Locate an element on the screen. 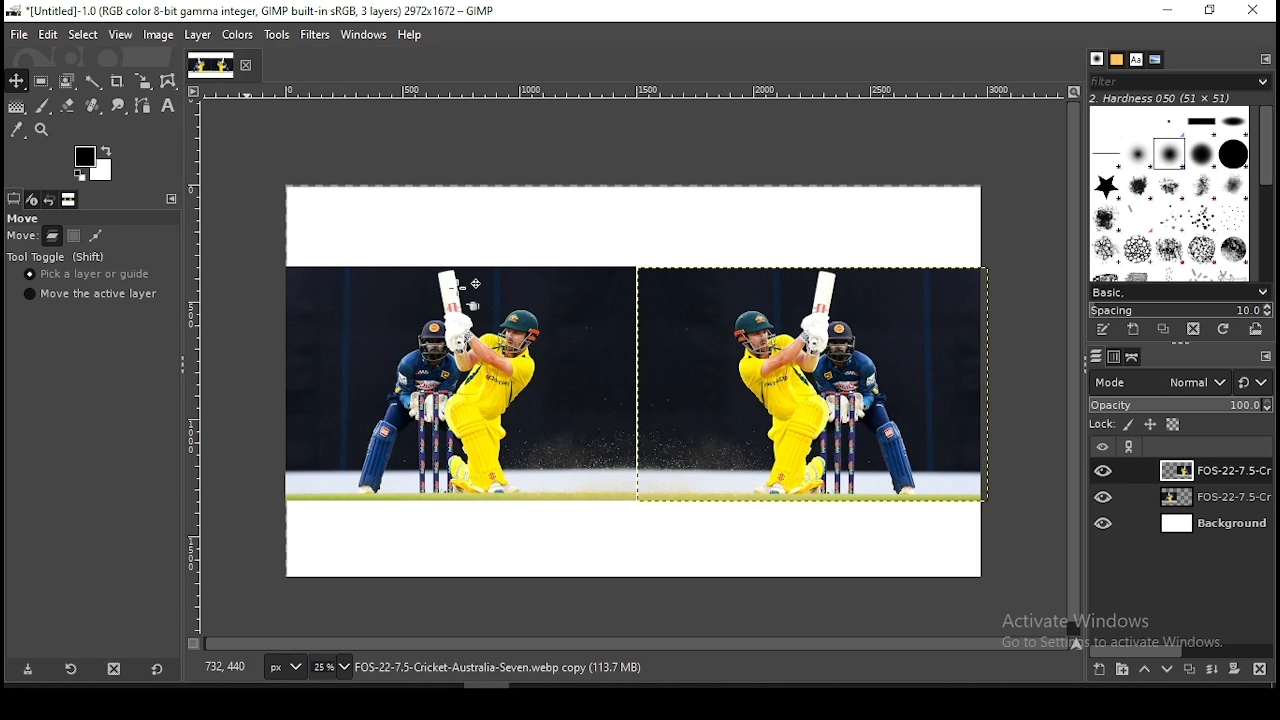  icon and file name is located at coordinates (248, 12).